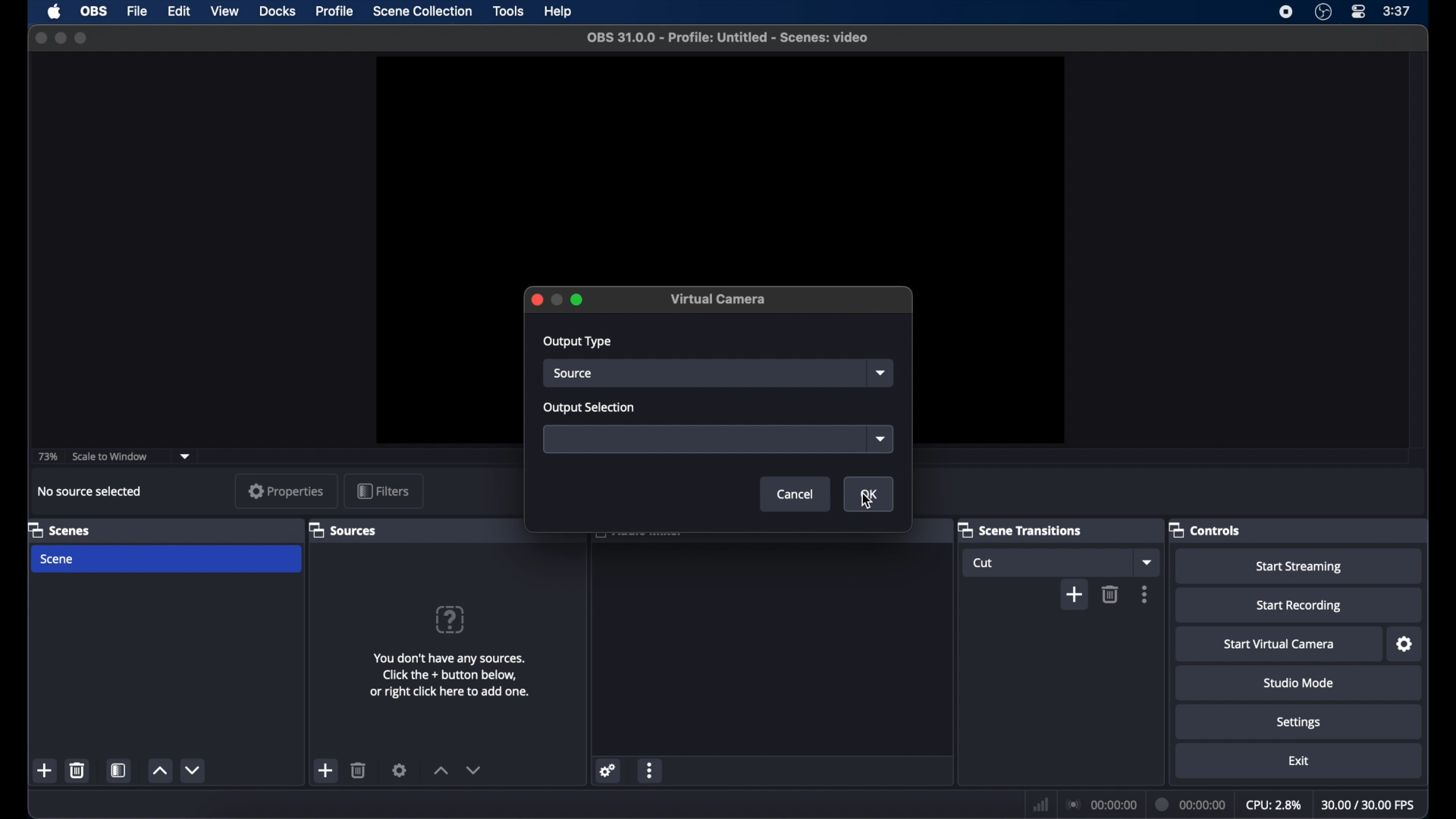 The image size is (1456, 819). Describe the element at coordinates (508, 11) in the screenshot. I see `tools` at that location.